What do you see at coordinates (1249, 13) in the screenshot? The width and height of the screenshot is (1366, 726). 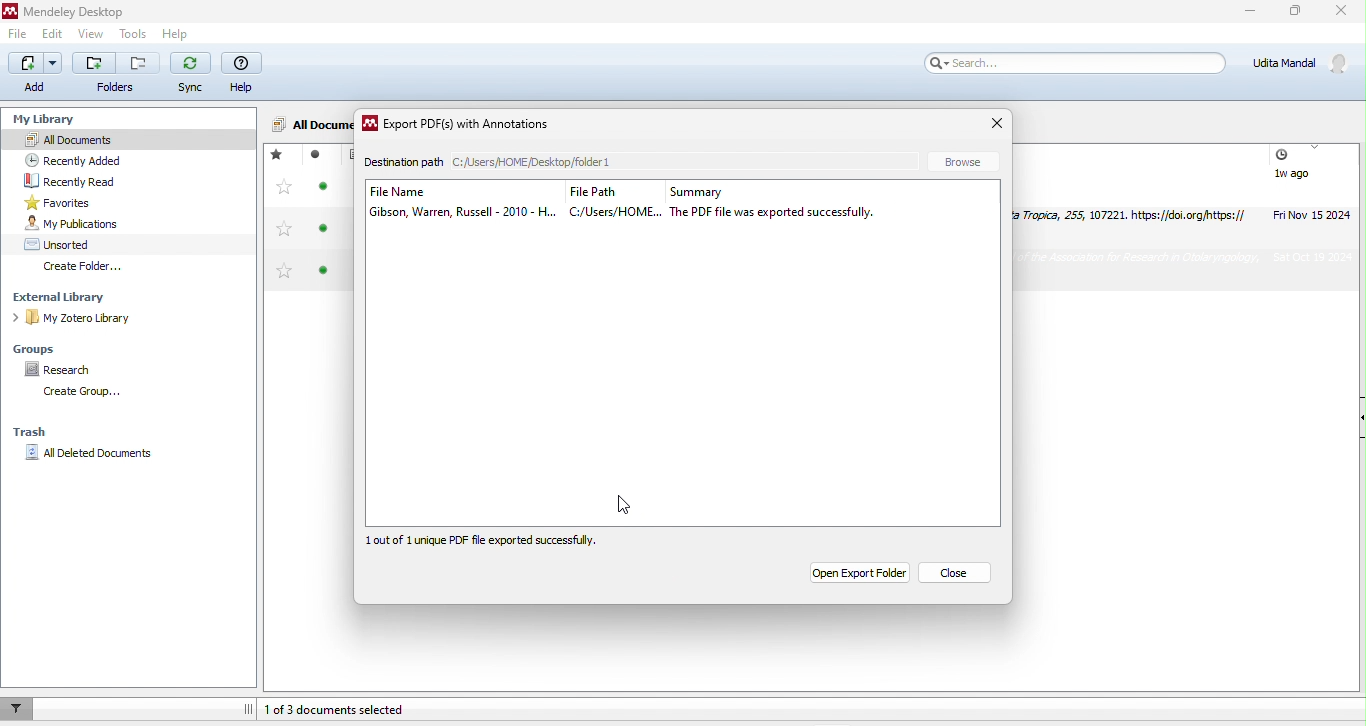 I see `minimize` at bounding box center [1249, 13].